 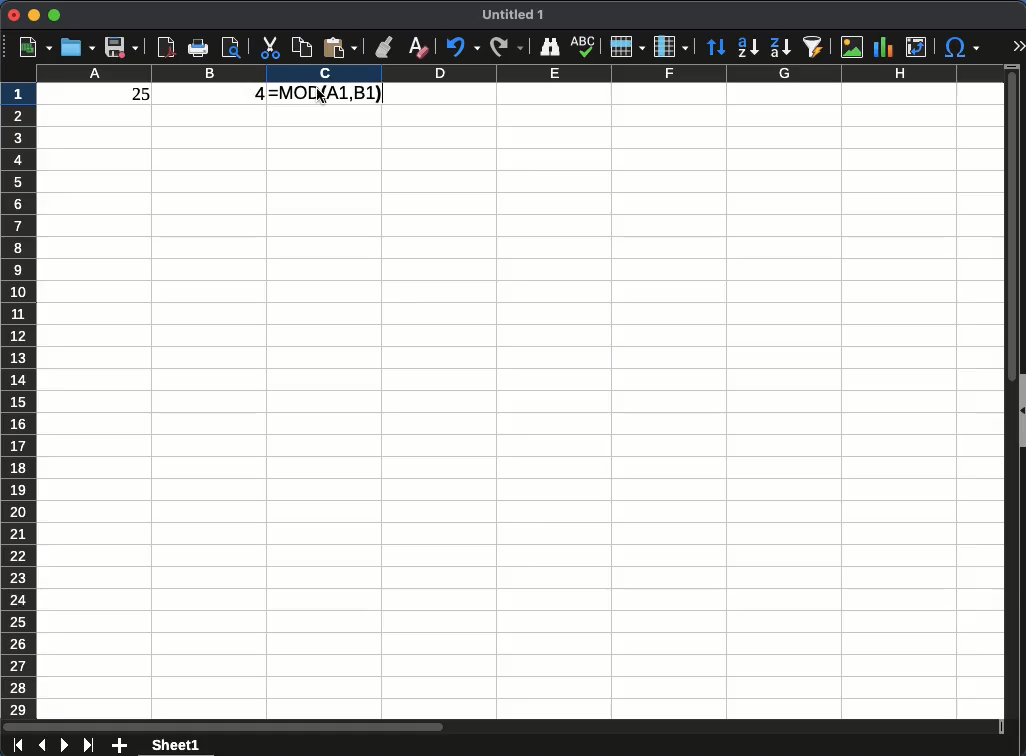 I want to click on minimize, so click(x=34, y=16).